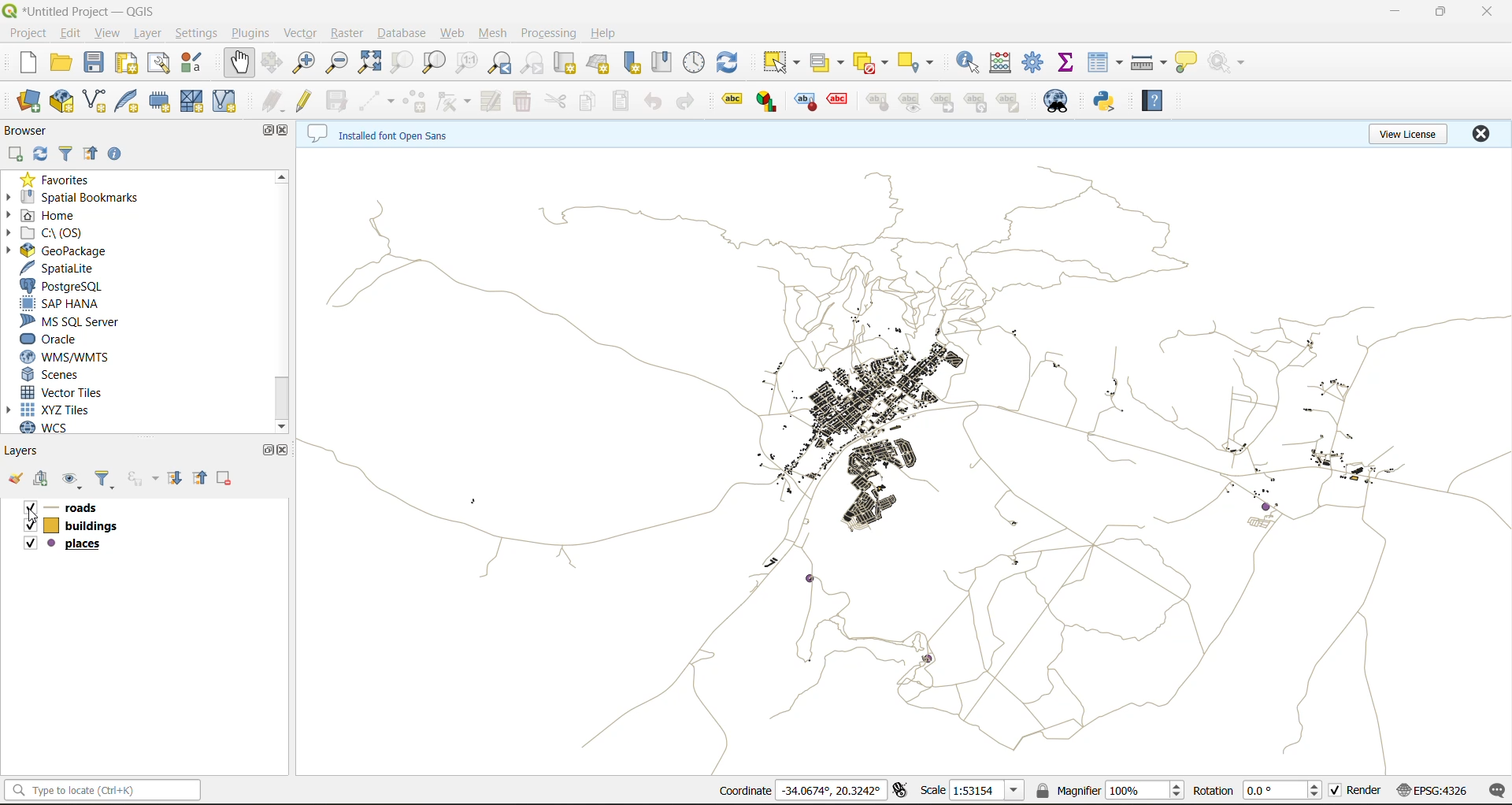  I want to click on close, so click(1488, 14).